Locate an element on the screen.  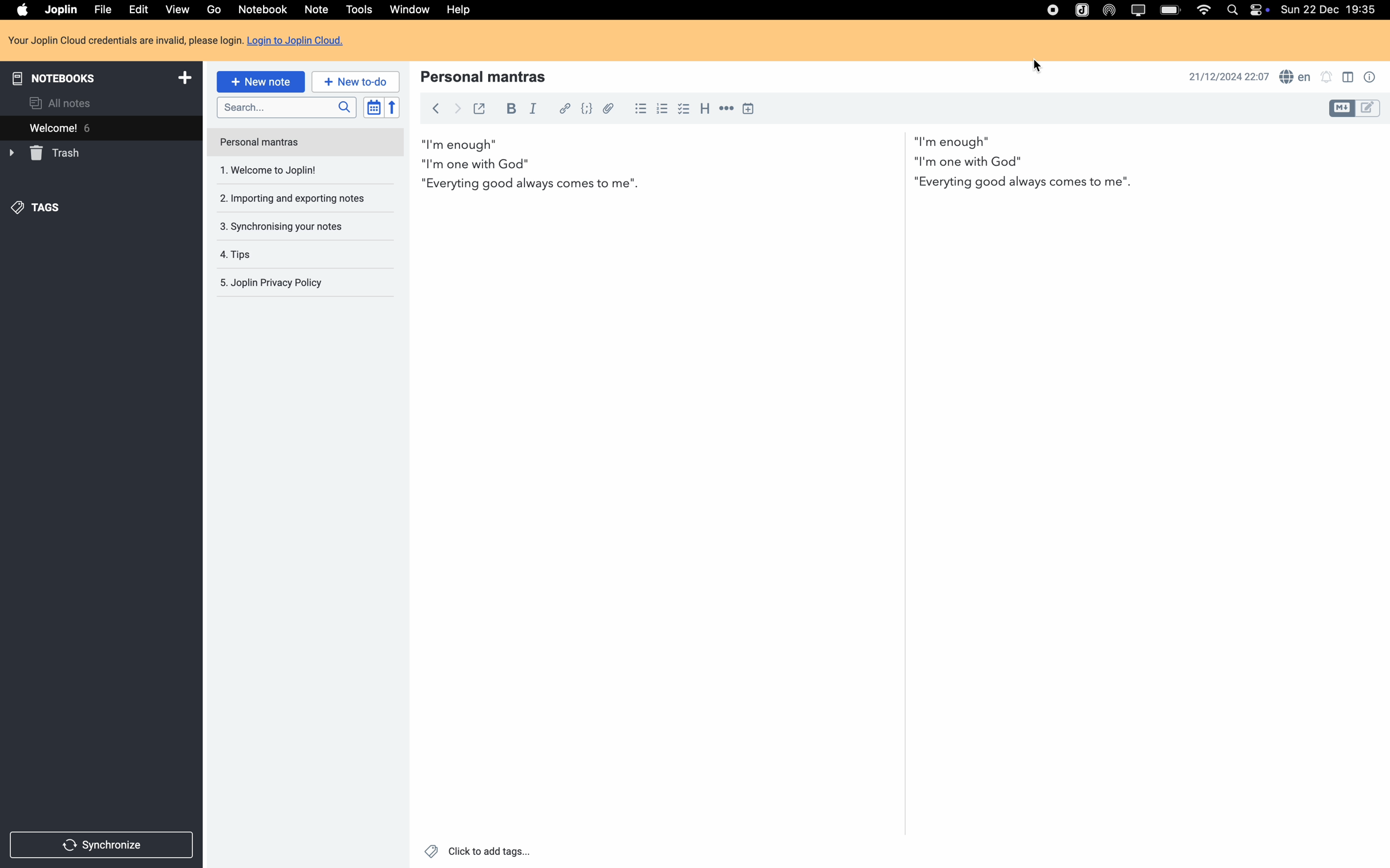
stop recording is located at coordinates (1051, 11).